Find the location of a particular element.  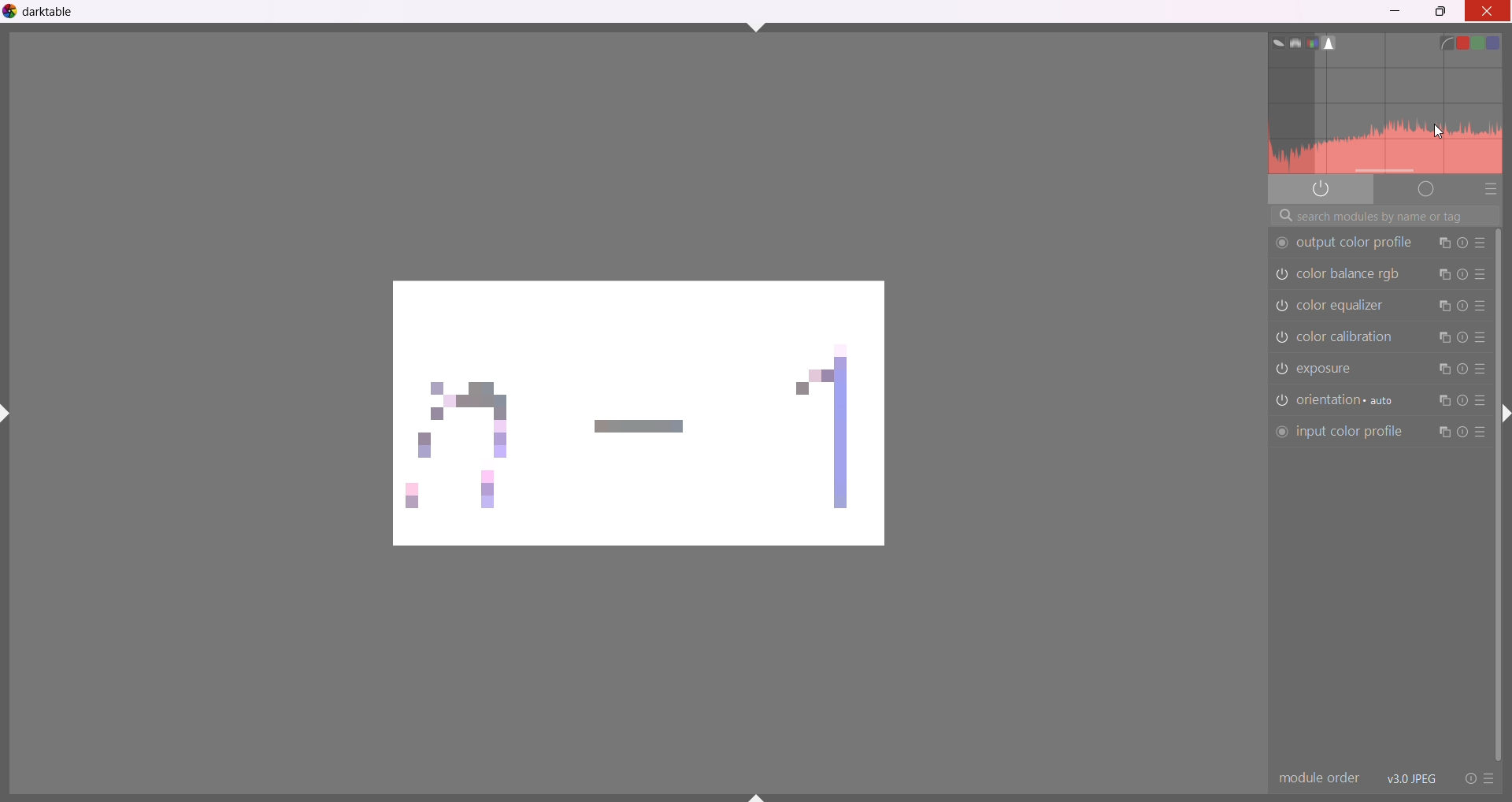

instance is located at coordinates (1443, 244).